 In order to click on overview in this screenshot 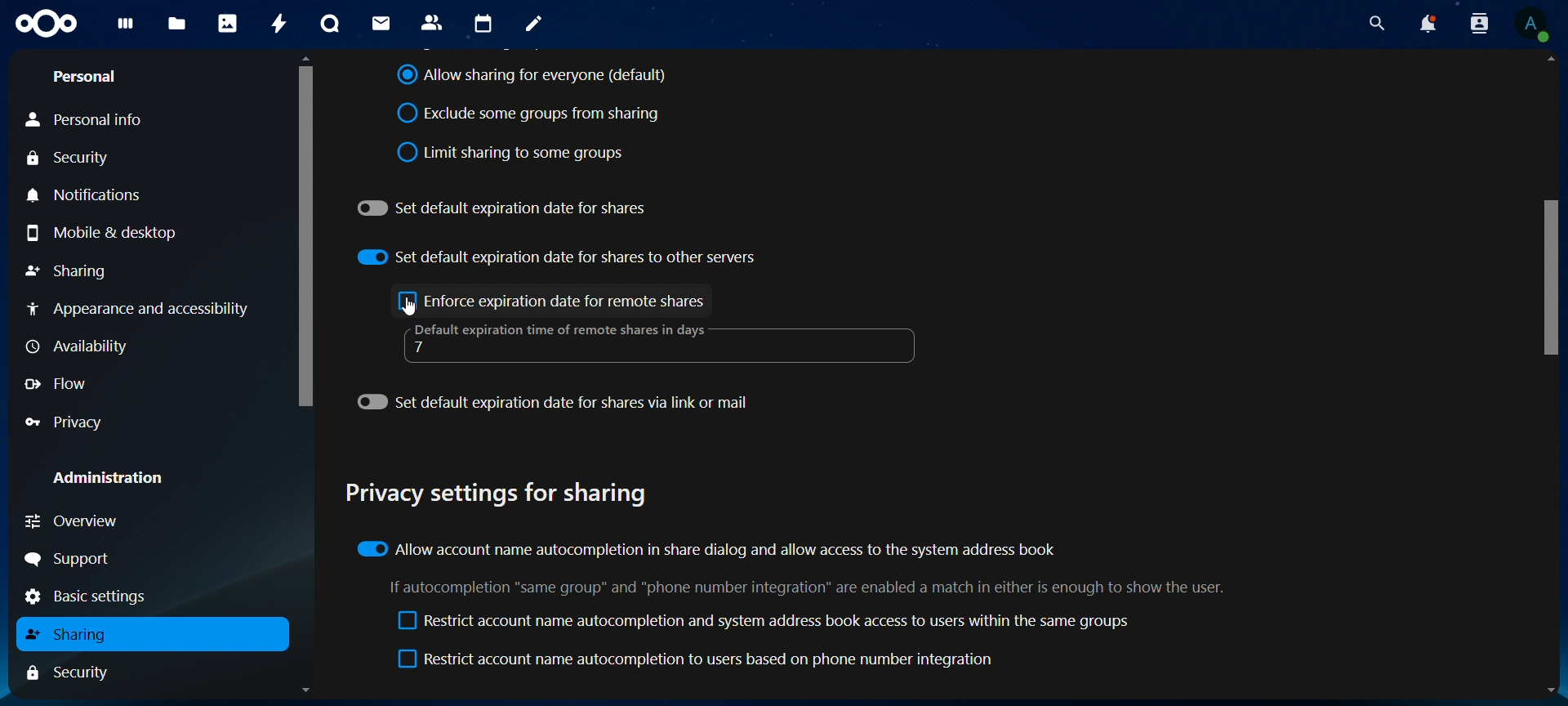, I will do `click(73, 518)`.